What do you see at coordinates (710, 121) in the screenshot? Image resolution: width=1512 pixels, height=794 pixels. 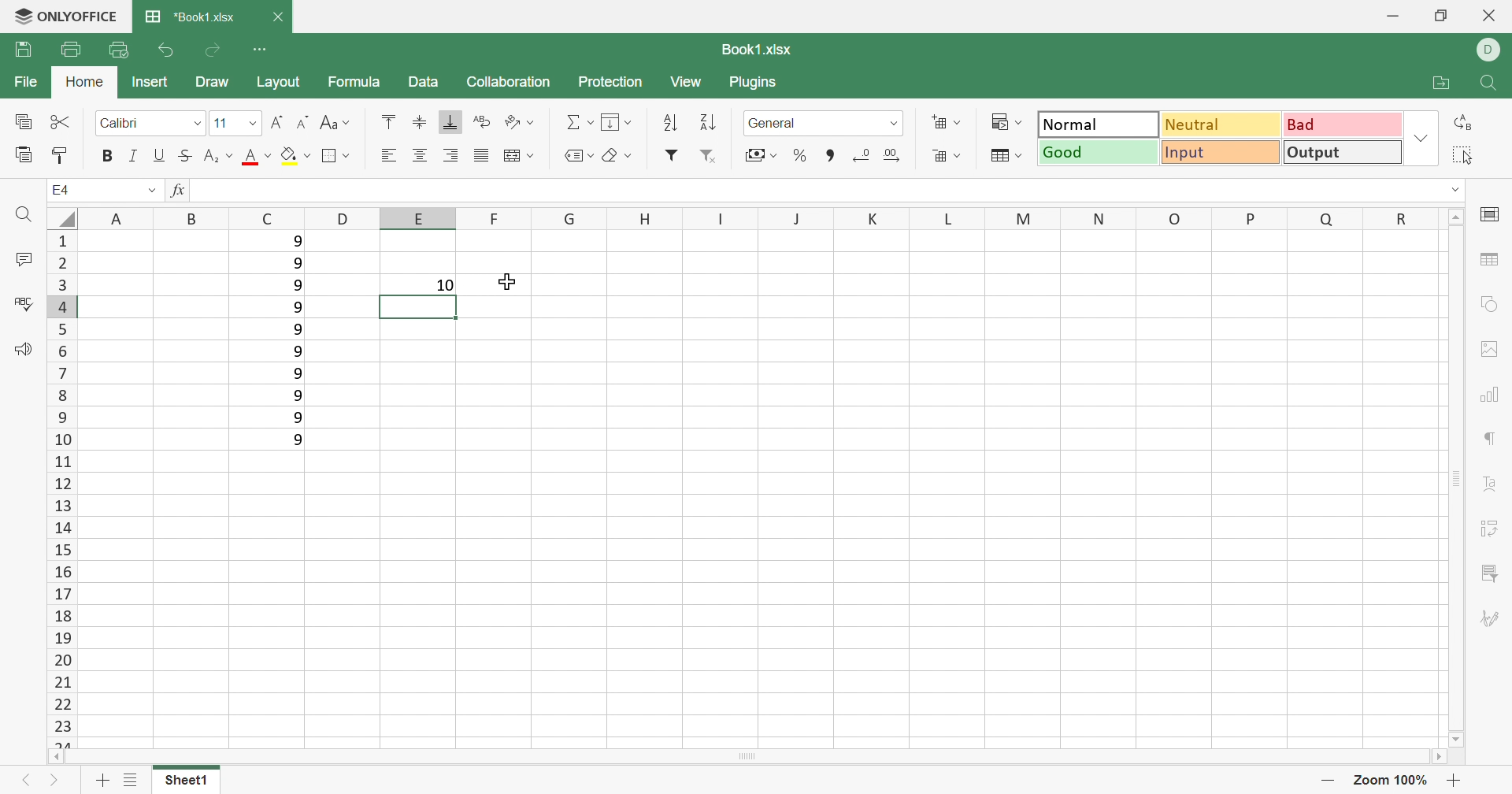 I see `Descending order` at bounding box center [710, 121].